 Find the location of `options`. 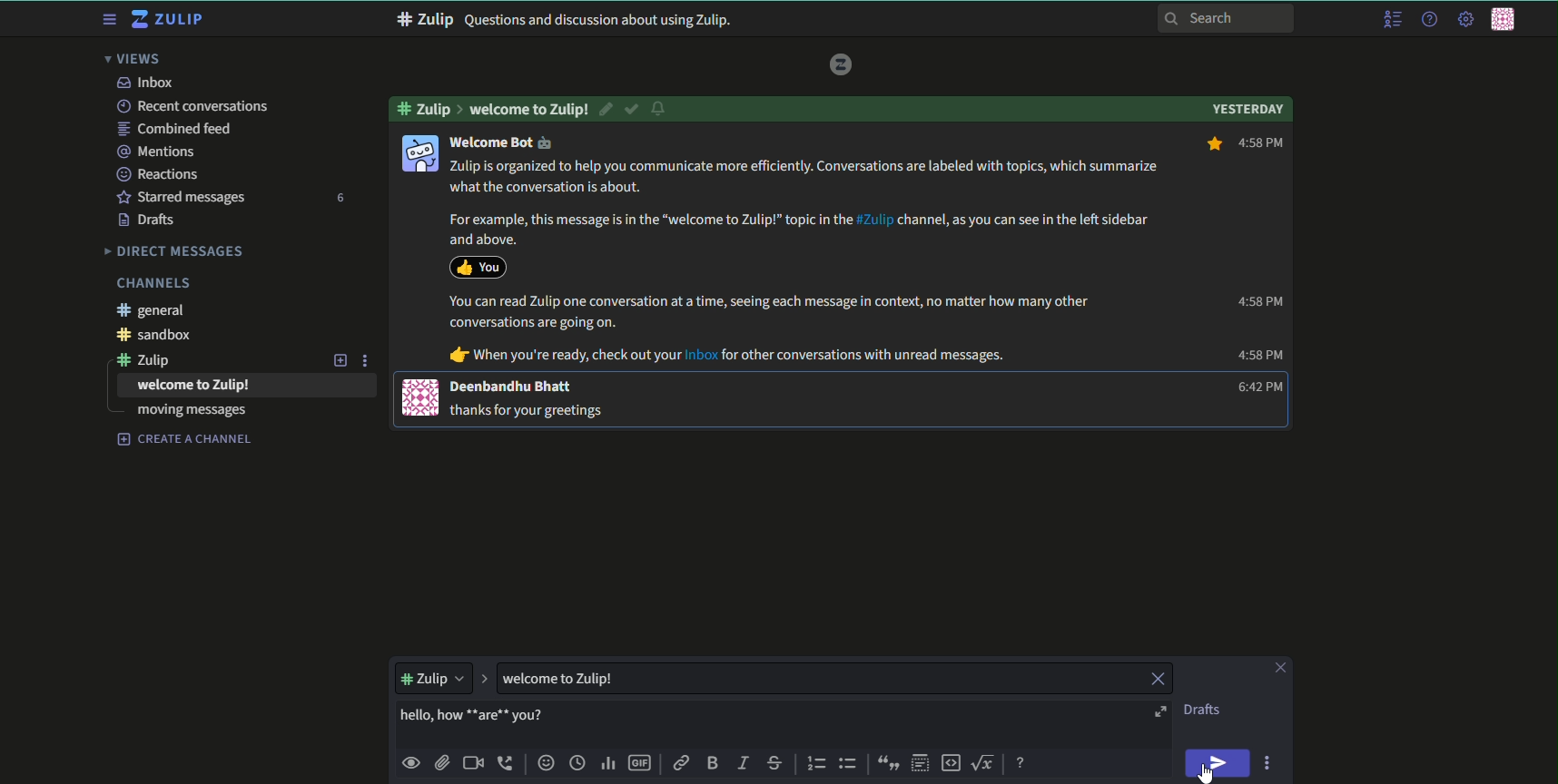

options is located at coordinates (1270, 762).